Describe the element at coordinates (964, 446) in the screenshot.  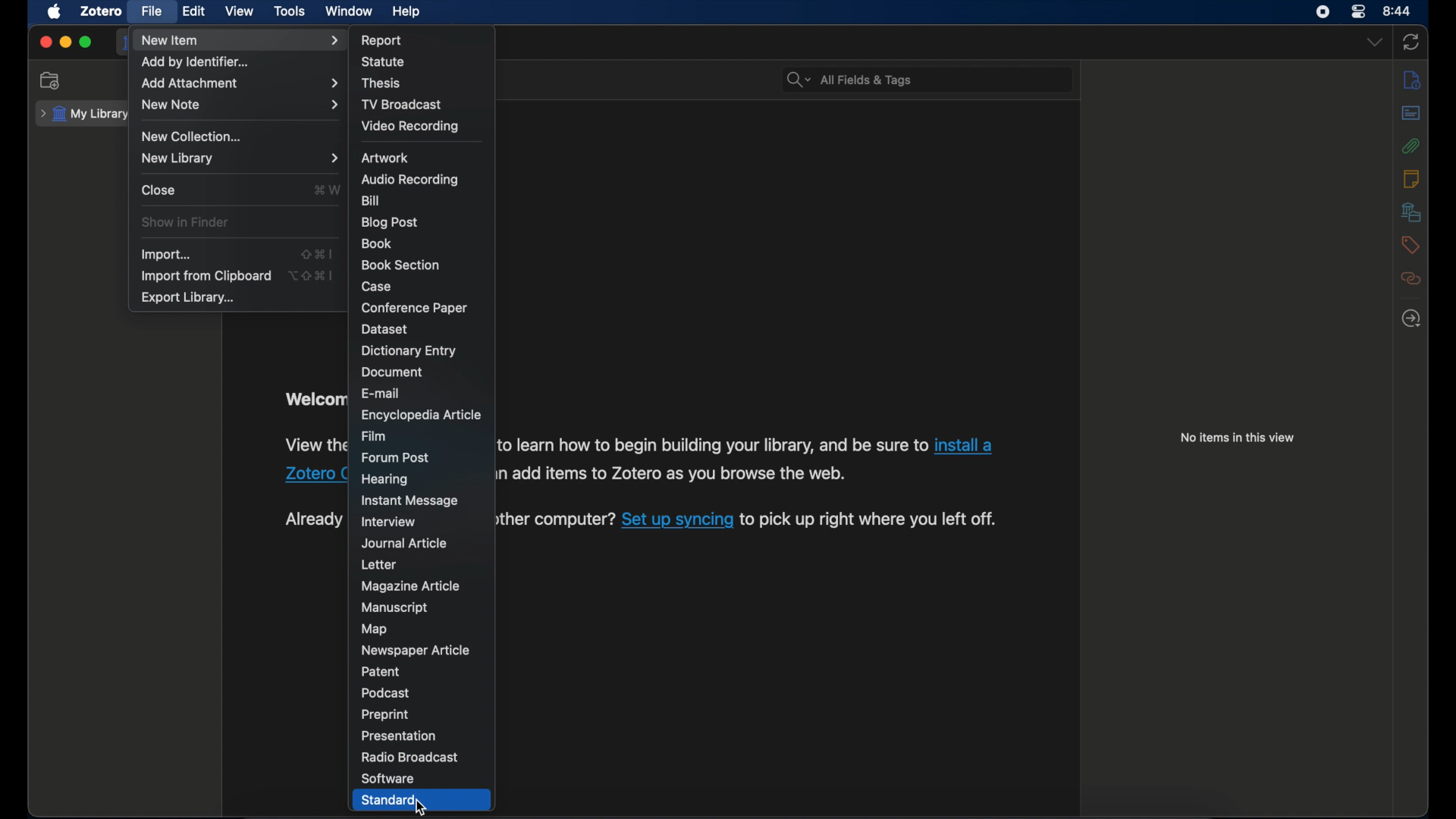
I see `Zotero connector link` at that location.